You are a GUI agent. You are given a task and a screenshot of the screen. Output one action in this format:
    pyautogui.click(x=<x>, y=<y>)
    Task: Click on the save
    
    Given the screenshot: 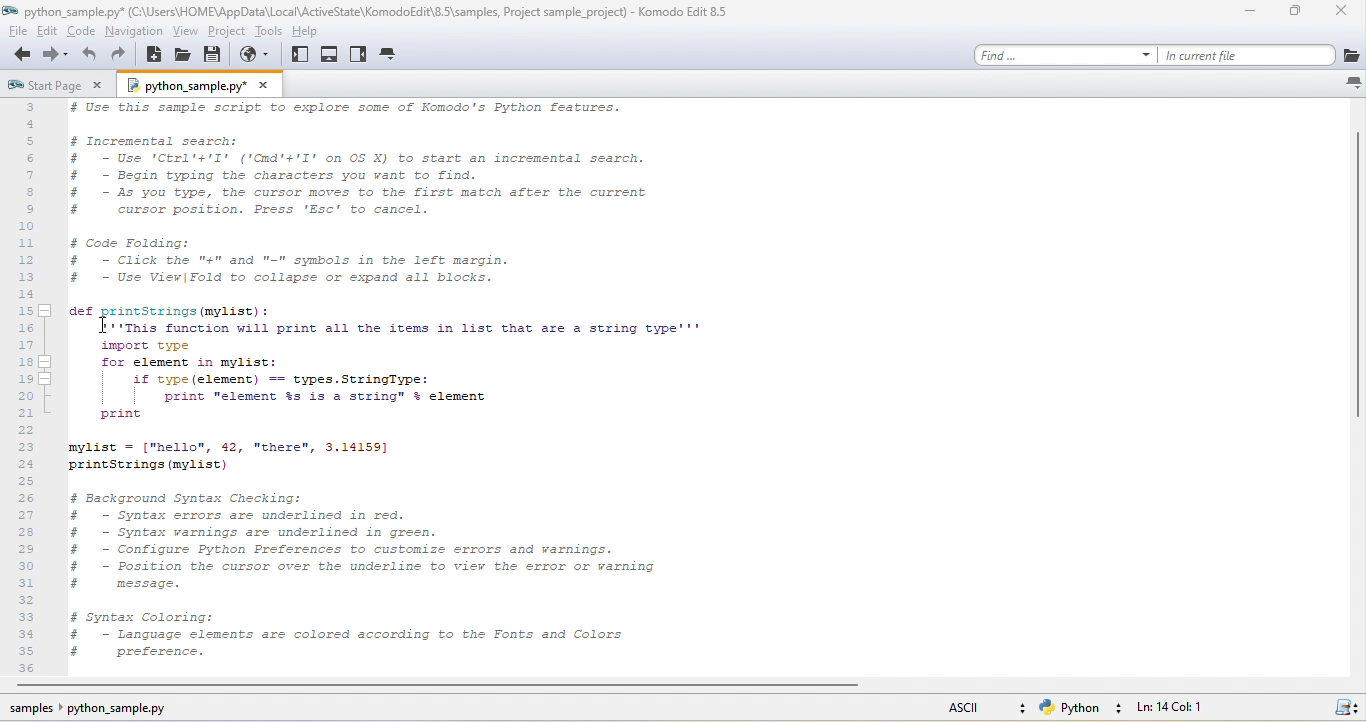 What is the action you would take?
    pyautogui.click(x=217, y=55)
    